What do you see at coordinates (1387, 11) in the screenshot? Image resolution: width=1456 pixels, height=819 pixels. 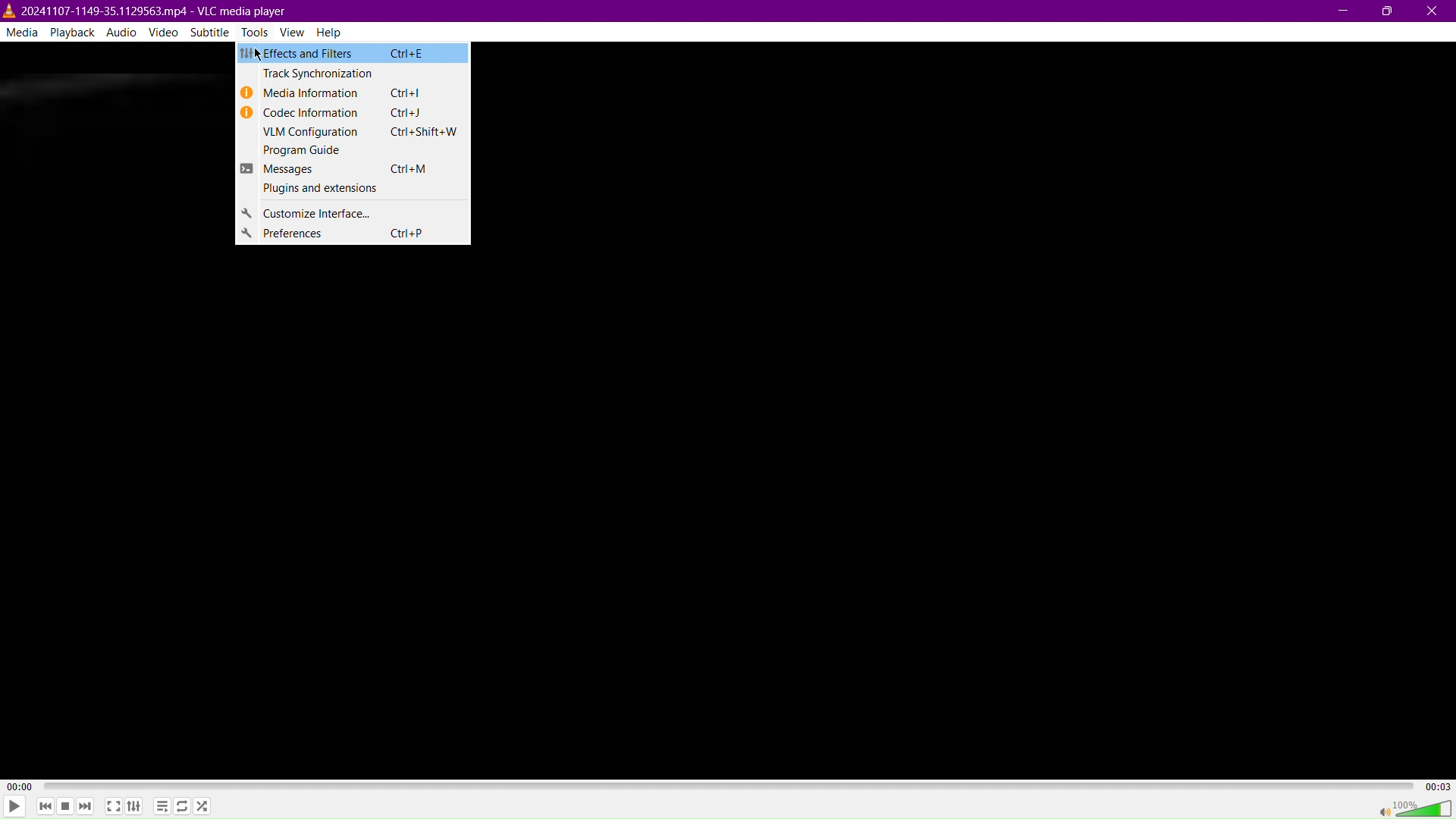 I see `Maximize` at bounding box center [1387, 11].